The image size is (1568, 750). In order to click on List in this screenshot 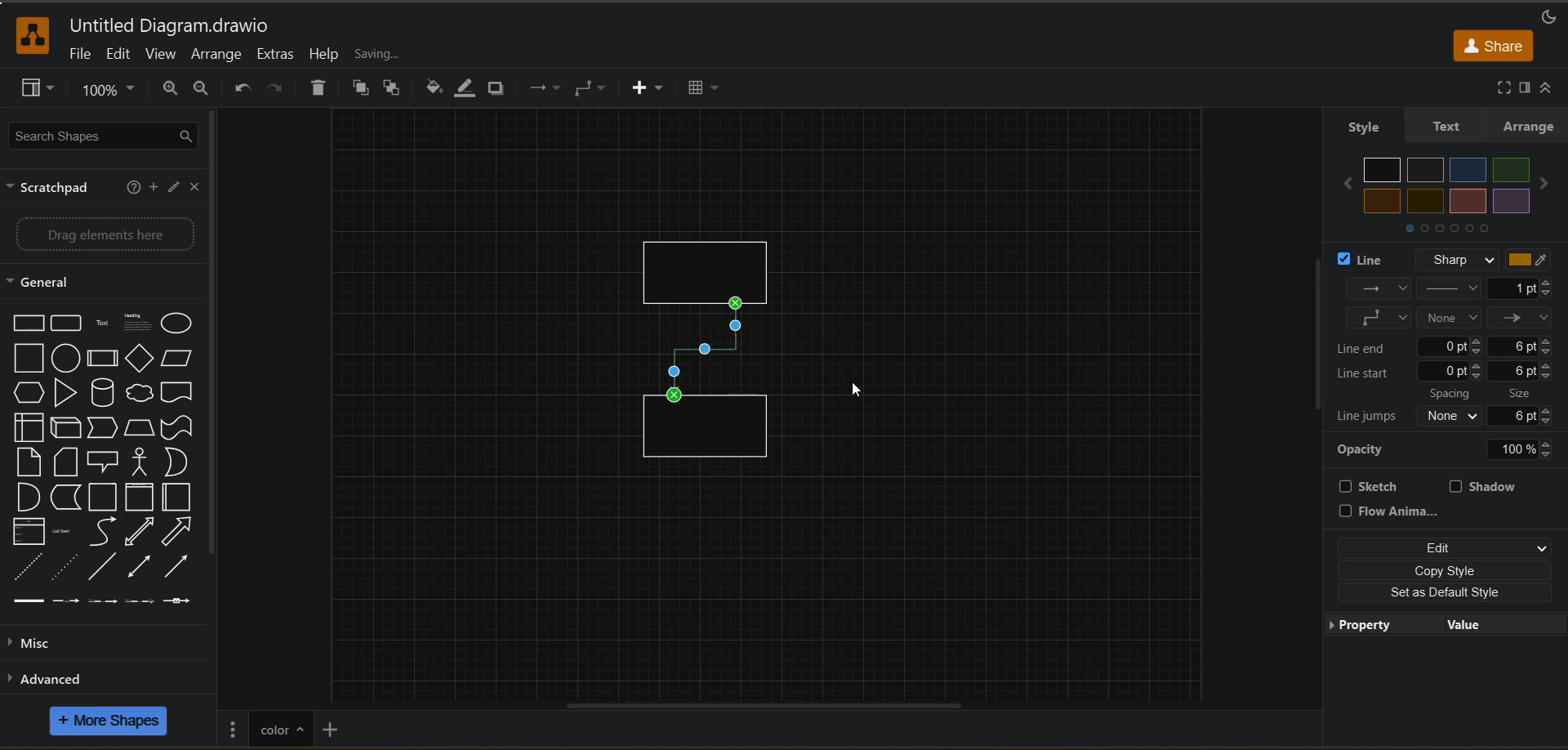, I will do `click(28, 532)`.